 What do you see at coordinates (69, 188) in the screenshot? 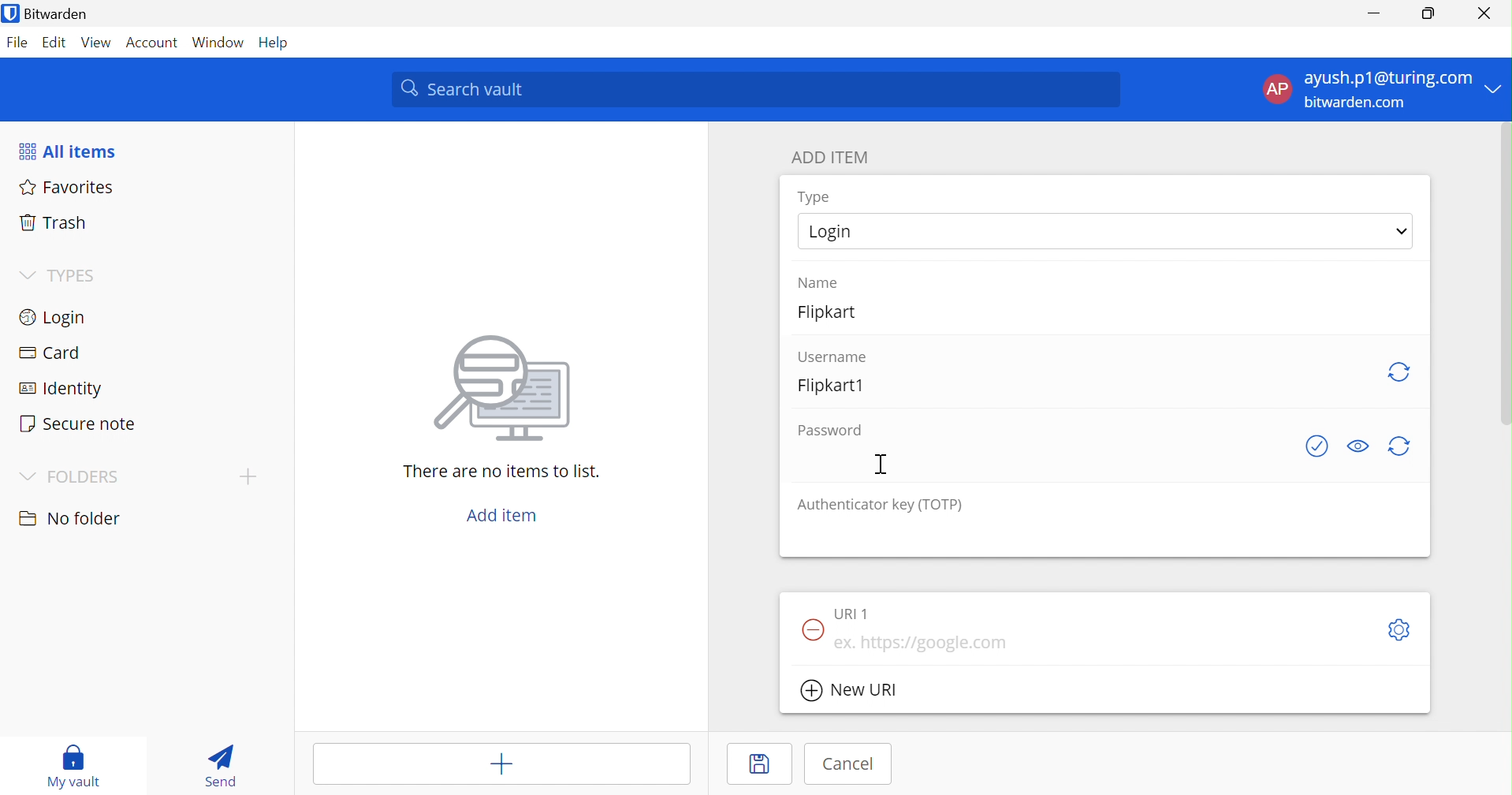
I see `Favorites` at bounding box center [69, 188].